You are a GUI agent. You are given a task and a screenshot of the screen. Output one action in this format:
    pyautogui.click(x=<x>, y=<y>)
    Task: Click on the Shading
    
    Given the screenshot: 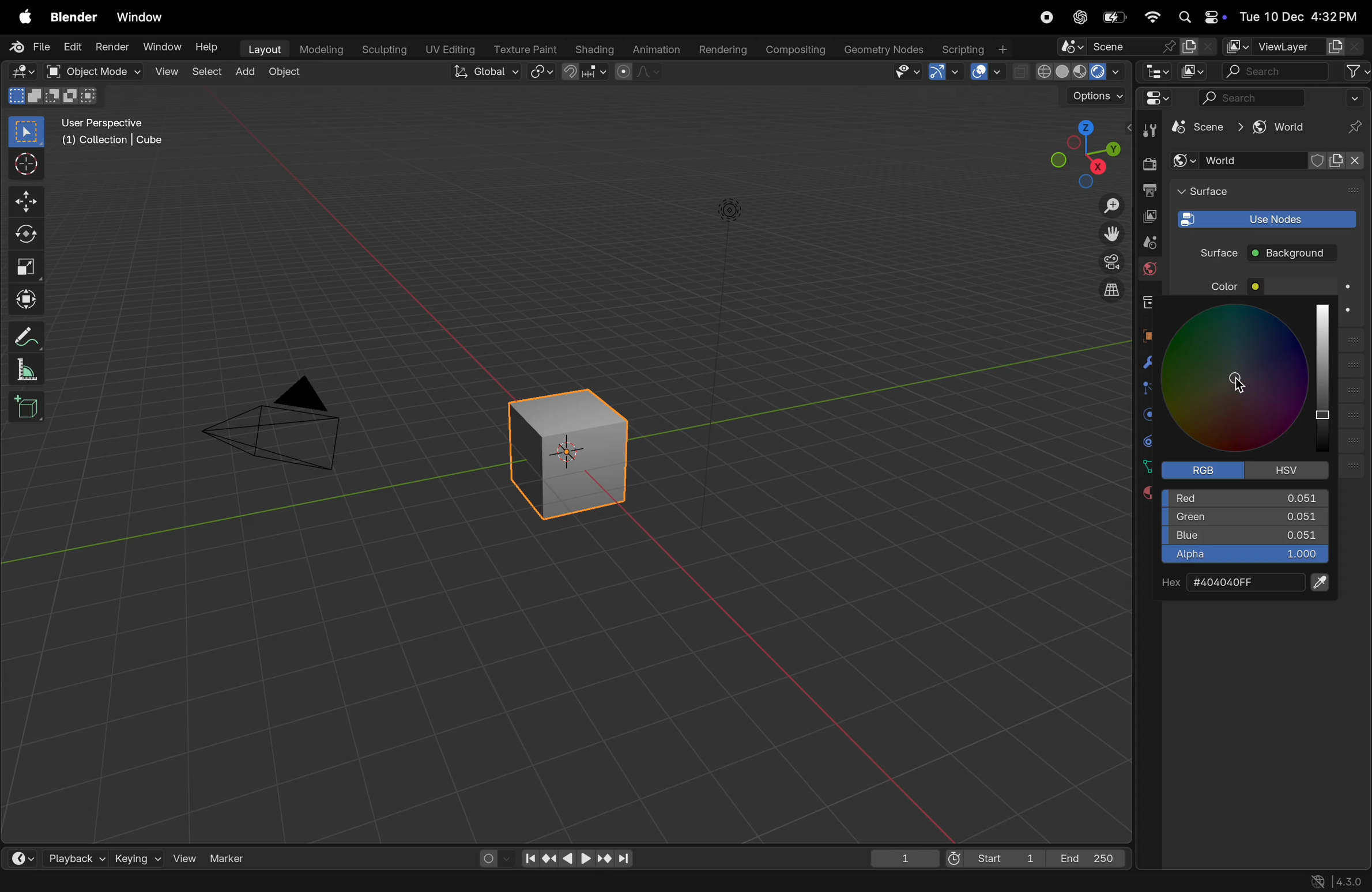 What is the action you would take?
    pyautogui.click(x=592, y=49)
    